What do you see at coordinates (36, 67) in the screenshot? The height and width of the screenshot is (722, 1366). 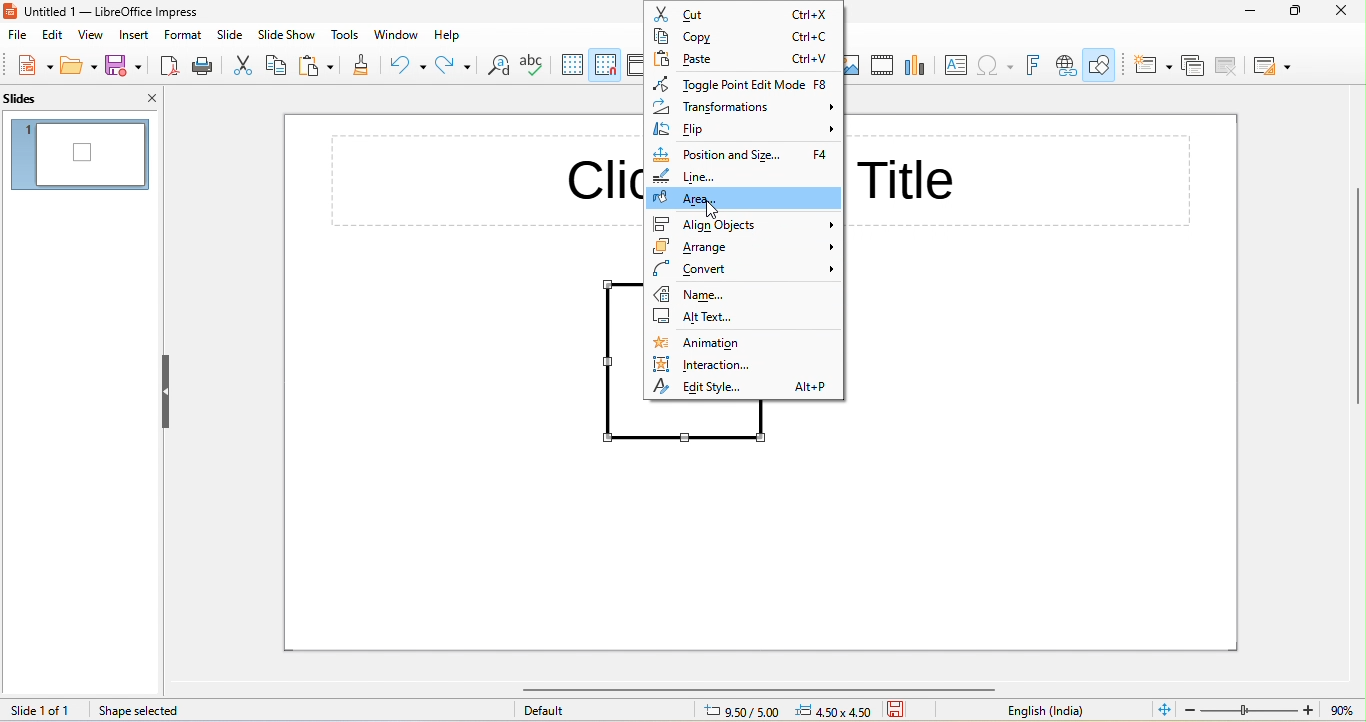 I see `new` at bounding box center [36, 67].